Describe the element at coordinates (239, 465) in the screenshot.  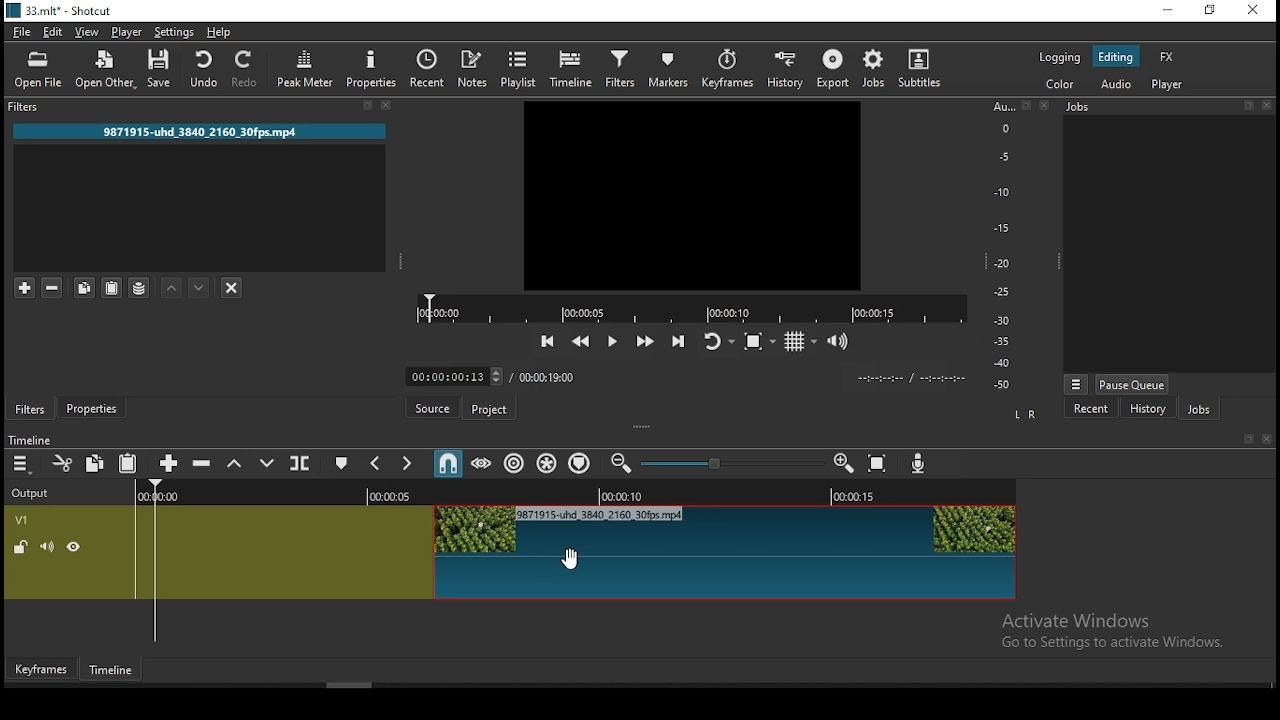
I see `lift` at that location.